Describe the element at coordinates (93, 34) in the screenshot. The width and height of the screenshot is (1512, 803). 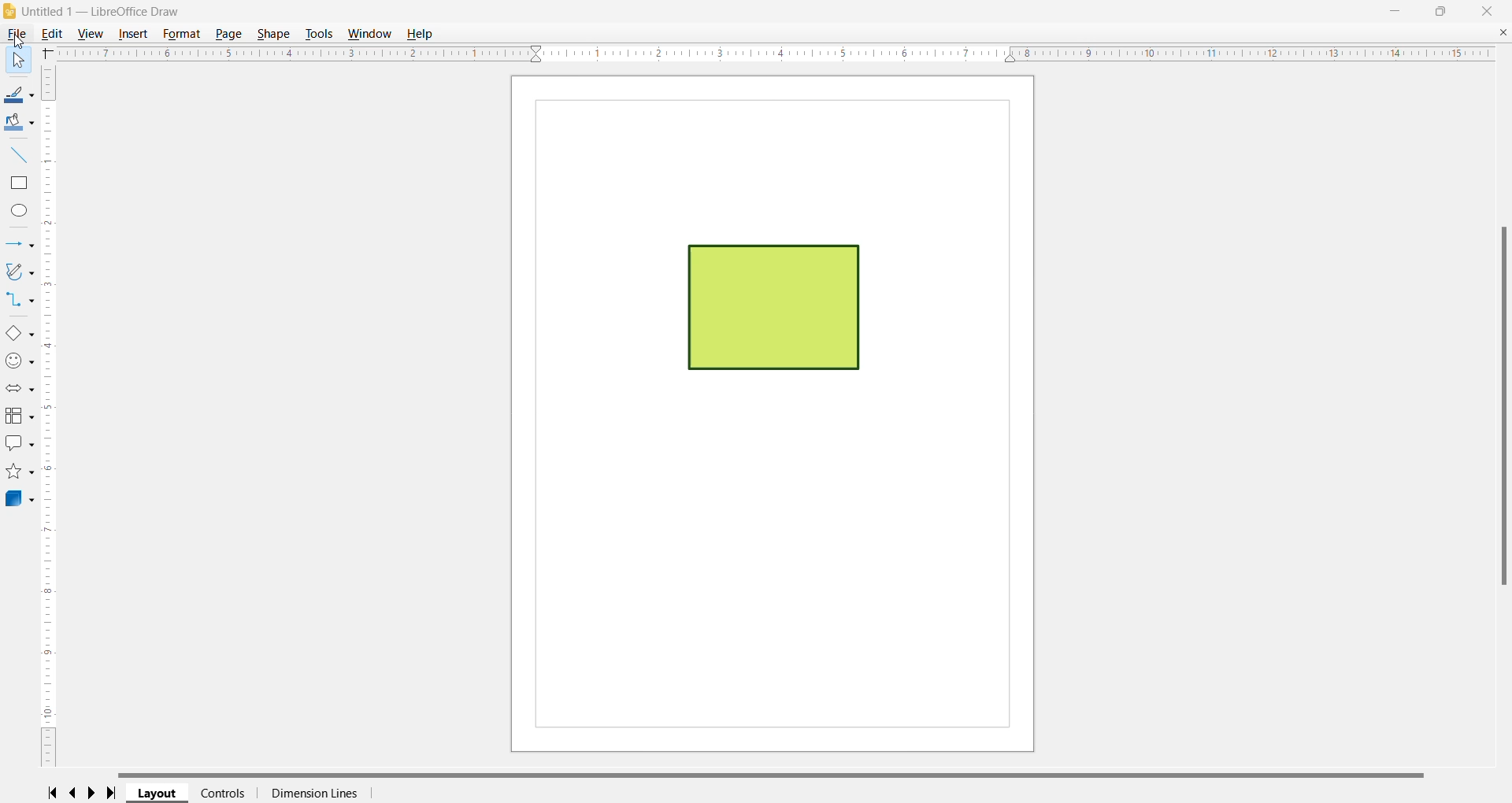
I see `View` at that location.